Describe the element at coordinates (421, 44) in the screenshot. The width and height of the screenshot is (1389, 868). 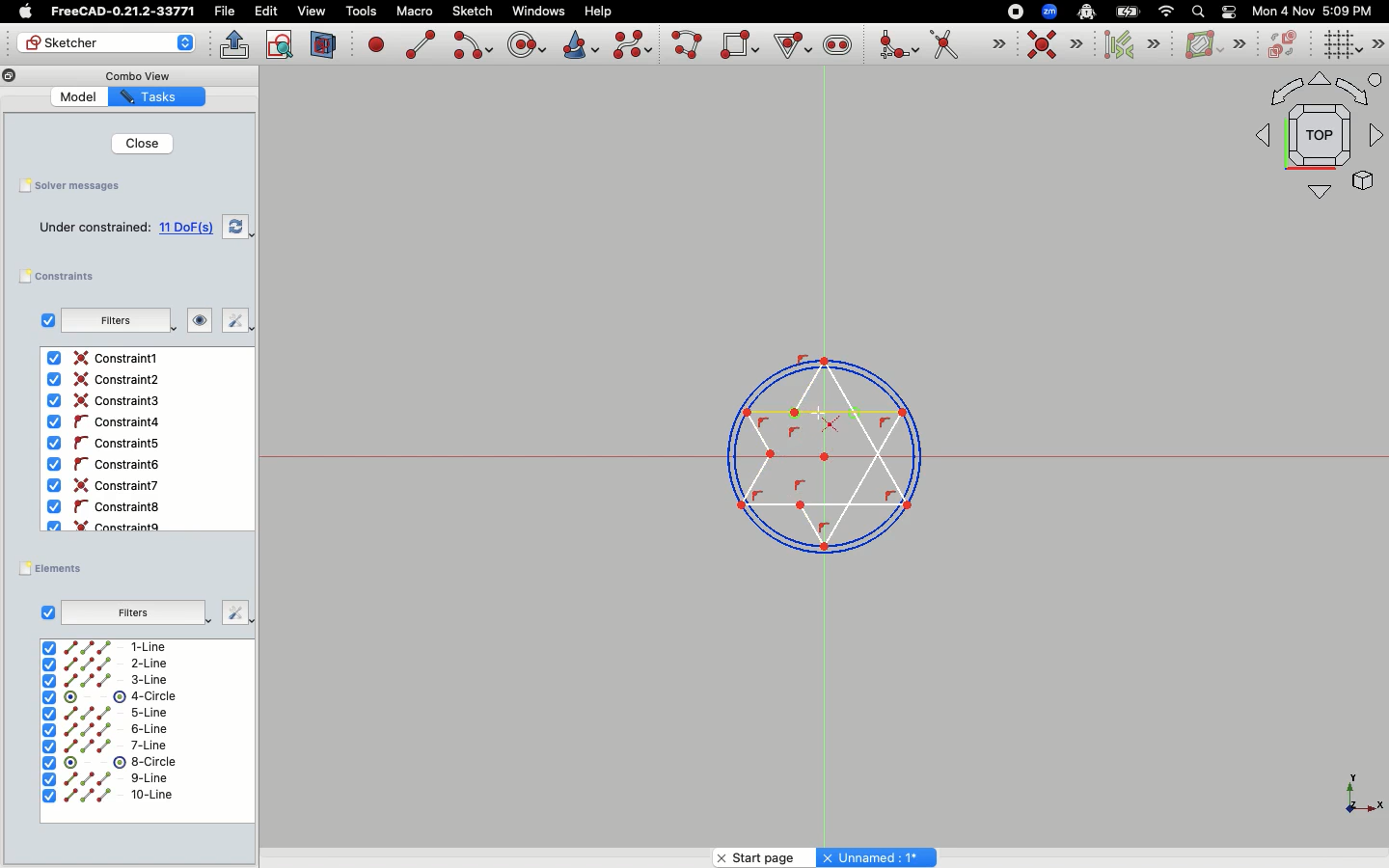
I see `Create line` at that location.